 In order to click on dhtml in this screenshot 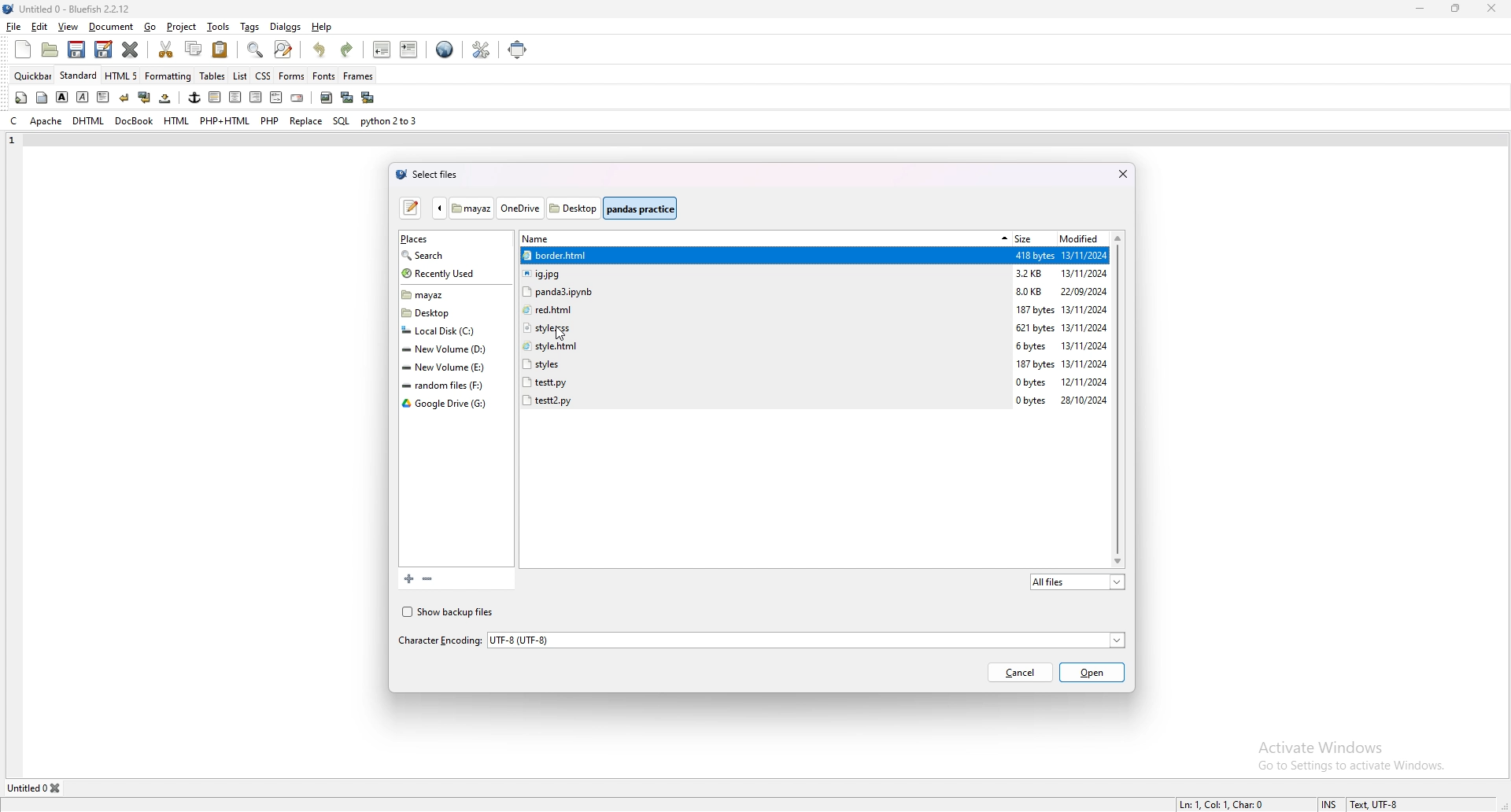, I will do `click(90, 120)`.